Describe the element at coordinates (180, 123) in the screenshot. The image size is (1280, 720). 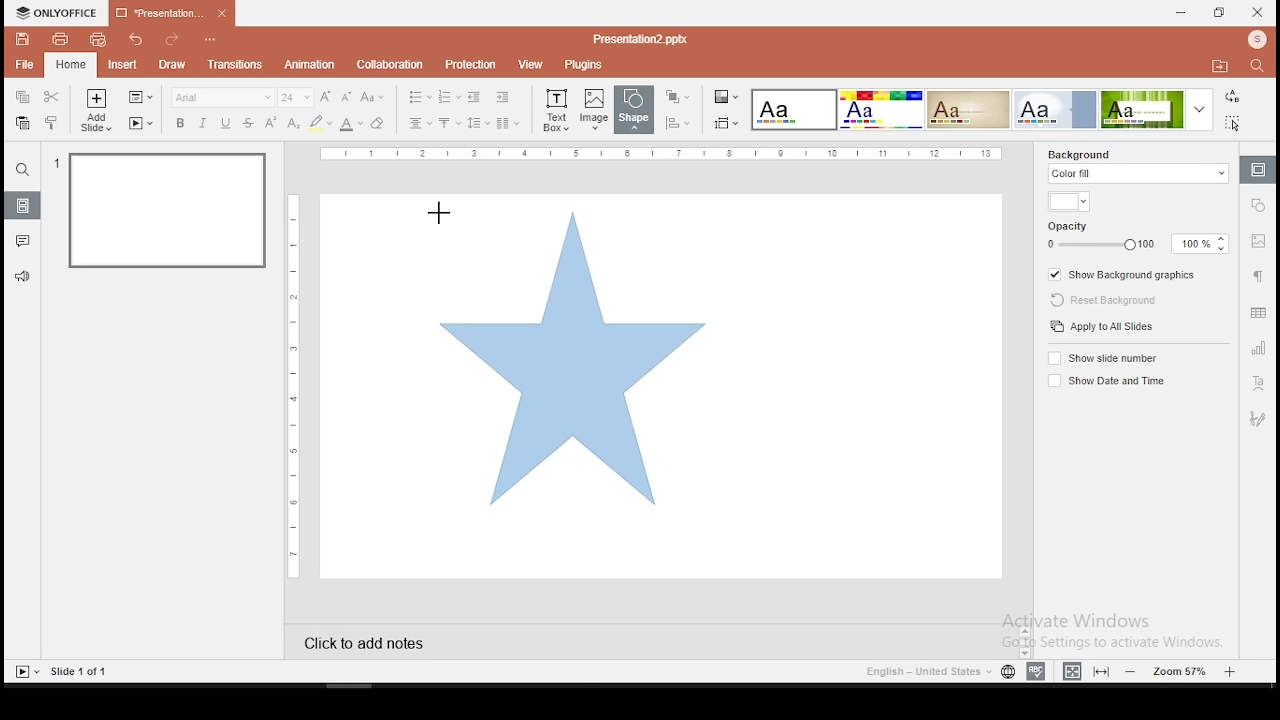
I see `bold` at that location.